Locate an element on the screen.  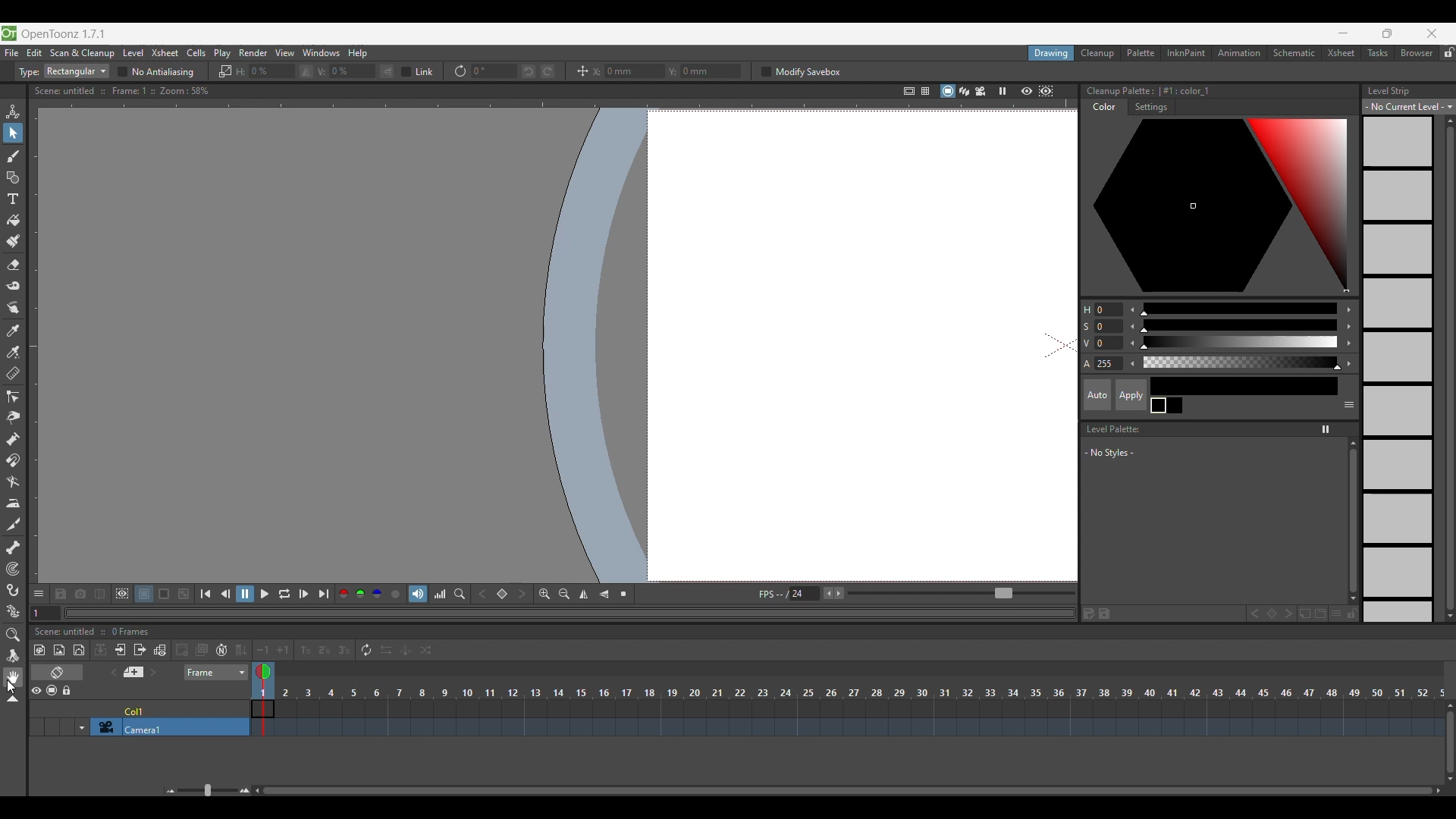
Save palette as is located at coordinates (1086, 615).